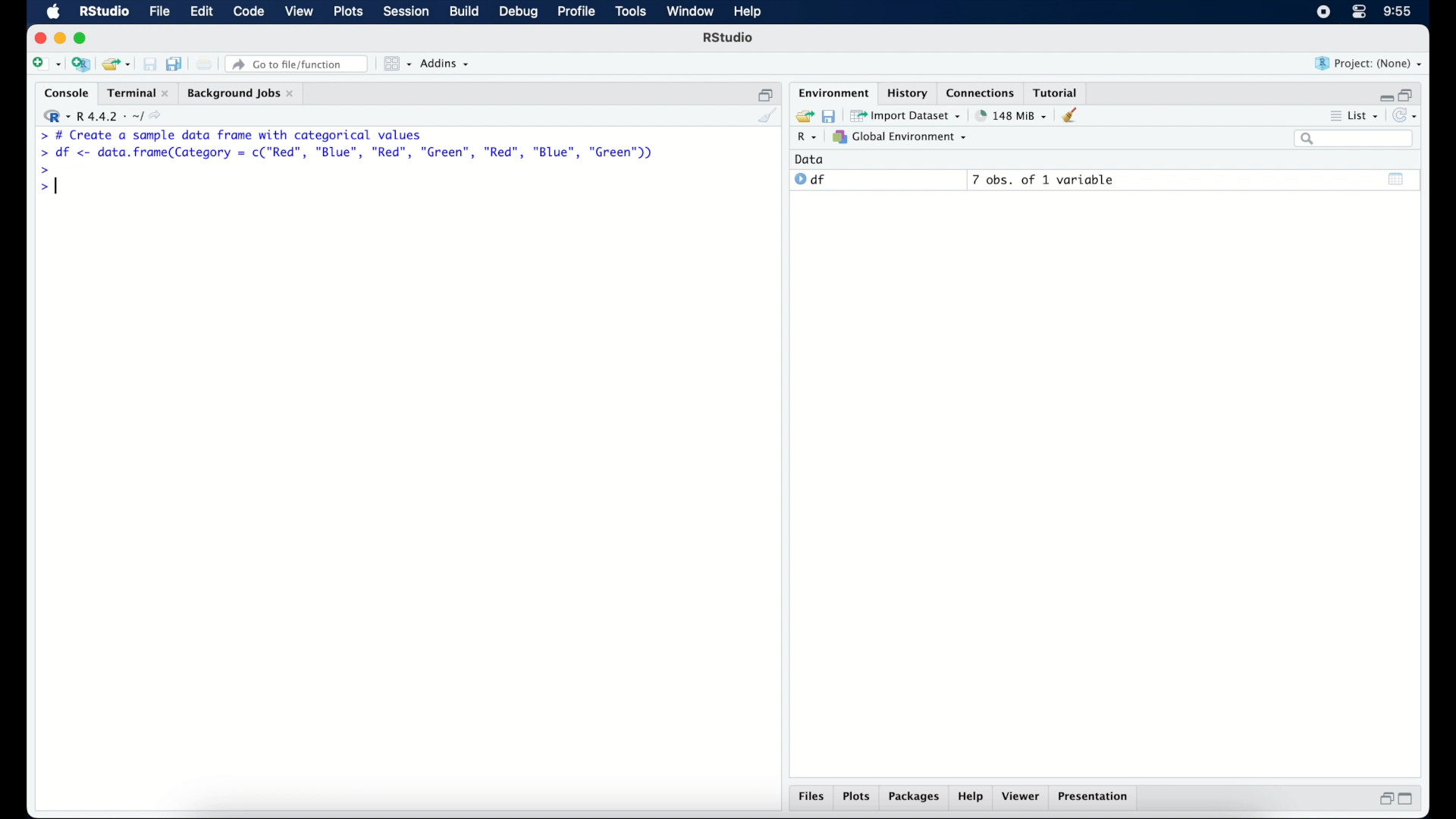 The image size is (1456, 819). What do you see at coordinates (45, 63) in the screenshot?
I see `new file` at bounding box center [45, 63].